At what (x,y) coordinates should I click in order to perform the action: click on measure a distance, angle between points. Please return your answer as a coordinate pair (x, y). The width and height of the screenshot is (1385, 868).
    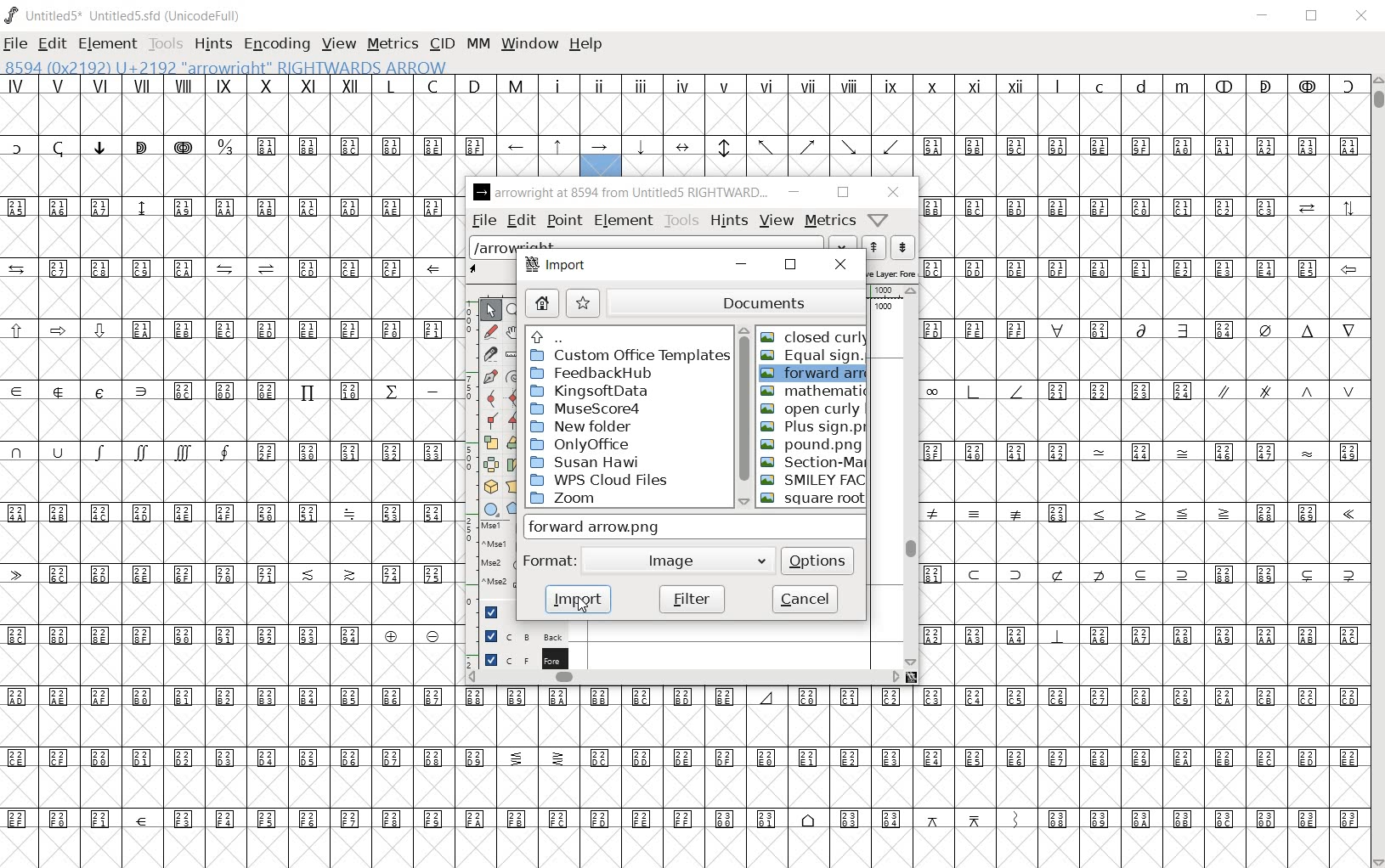
    Looking at the image, I should click on (512, 356).